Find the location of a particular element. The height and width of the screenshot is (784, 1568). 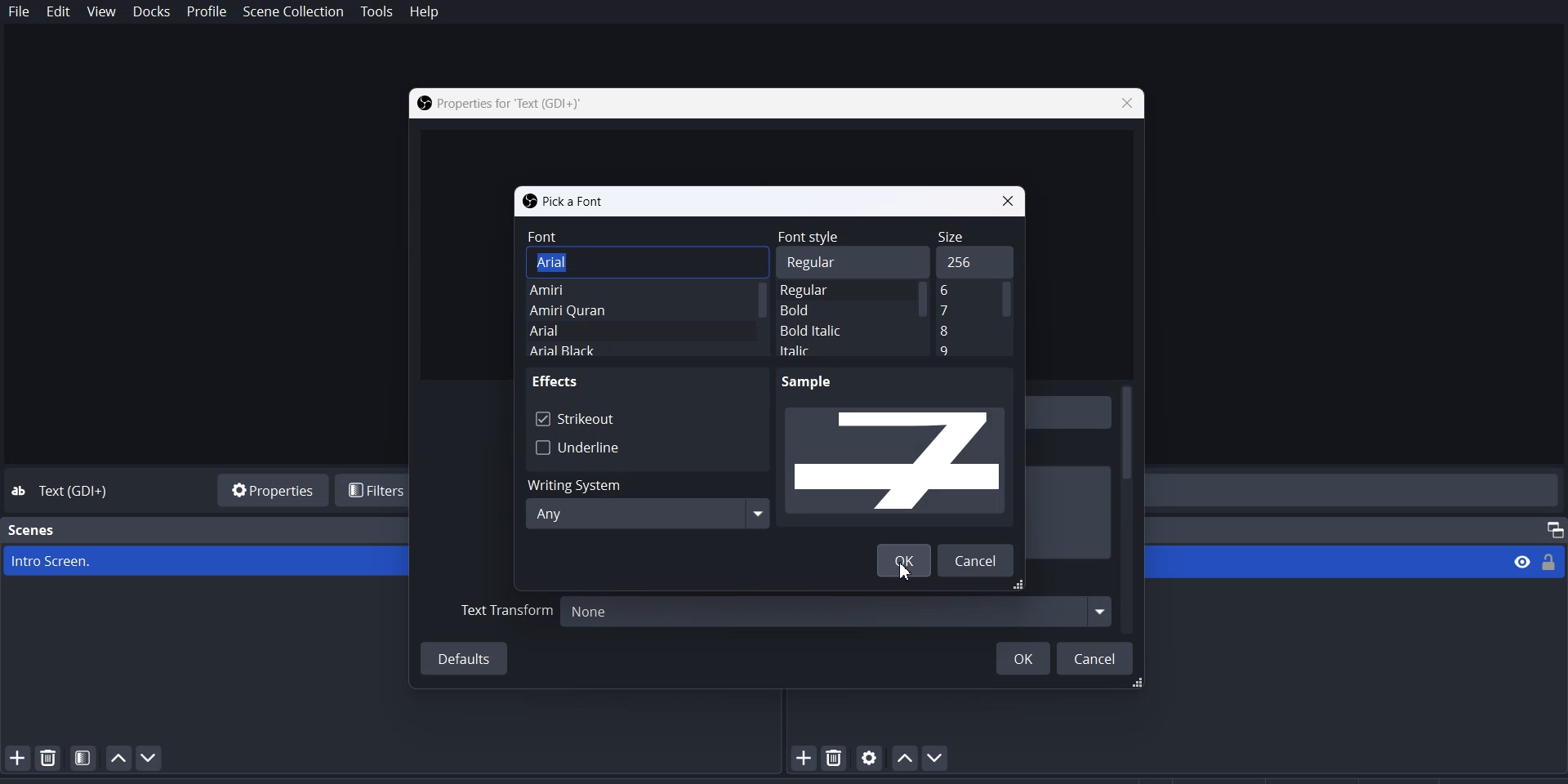

Arial is located at coordinates (595, 331).